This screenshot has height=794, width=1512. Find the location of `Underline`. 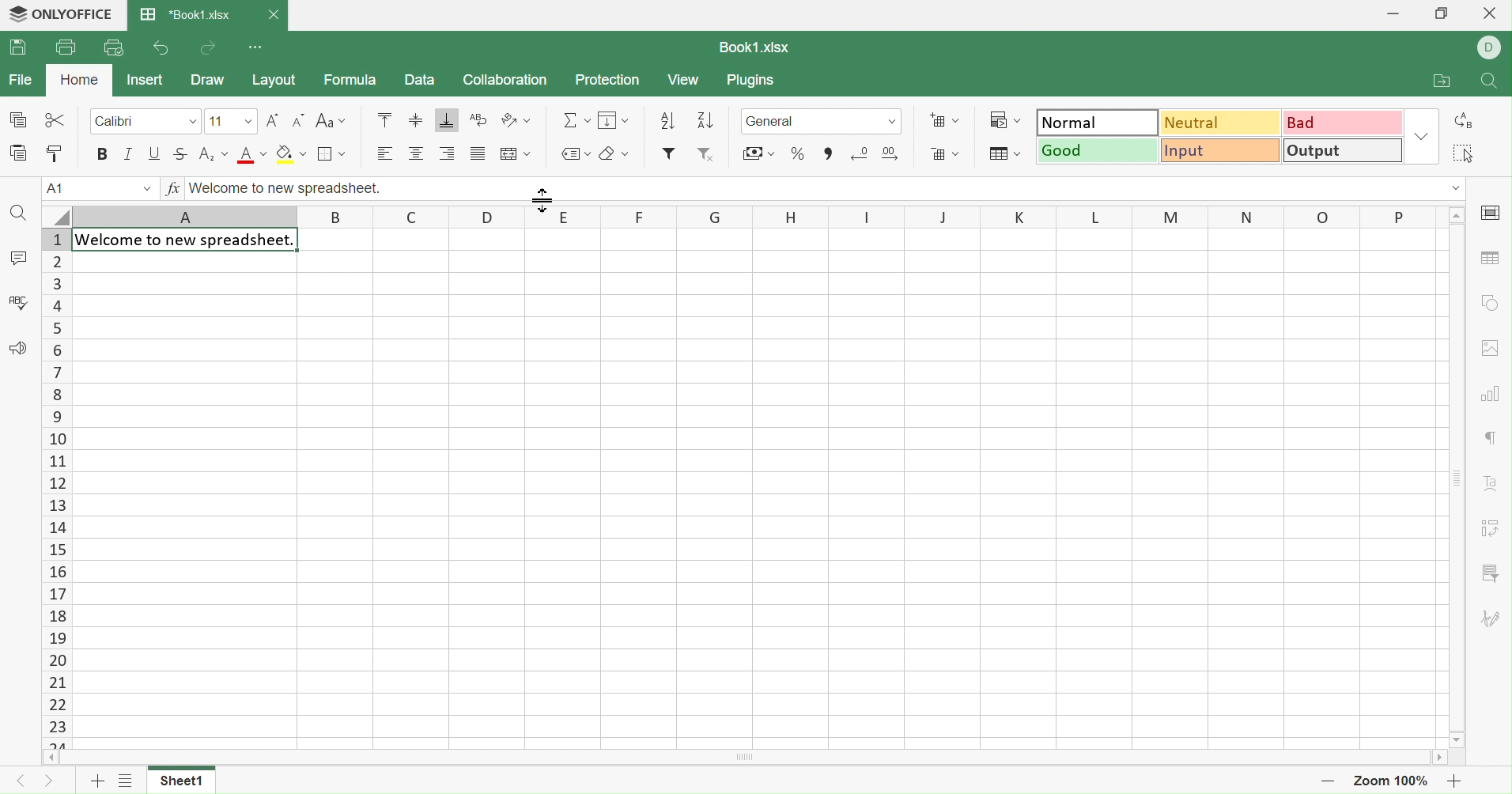

Underline is located at coordinates (156, 153).